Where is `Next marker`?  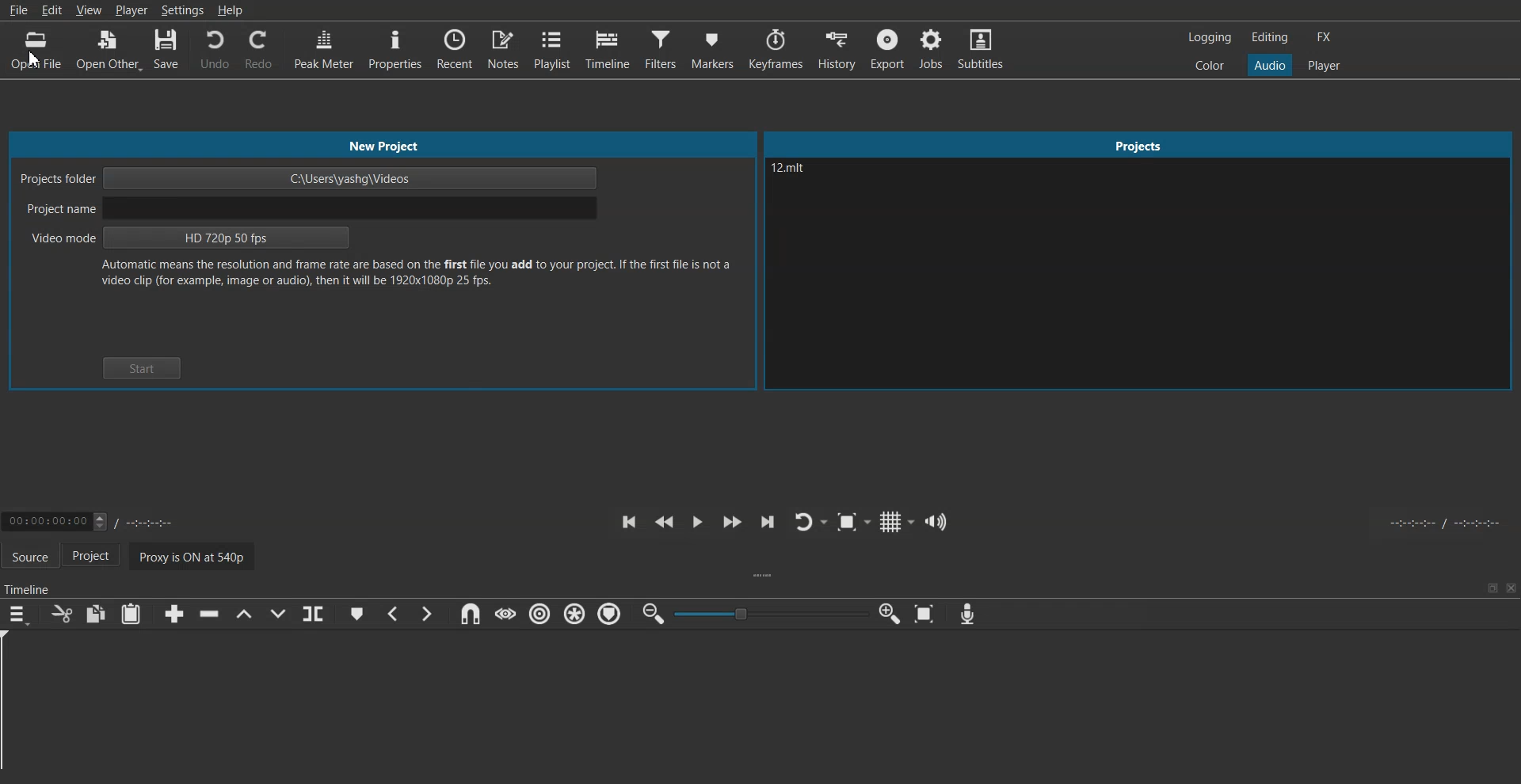 Next marker is located at coordinates (427, 613).